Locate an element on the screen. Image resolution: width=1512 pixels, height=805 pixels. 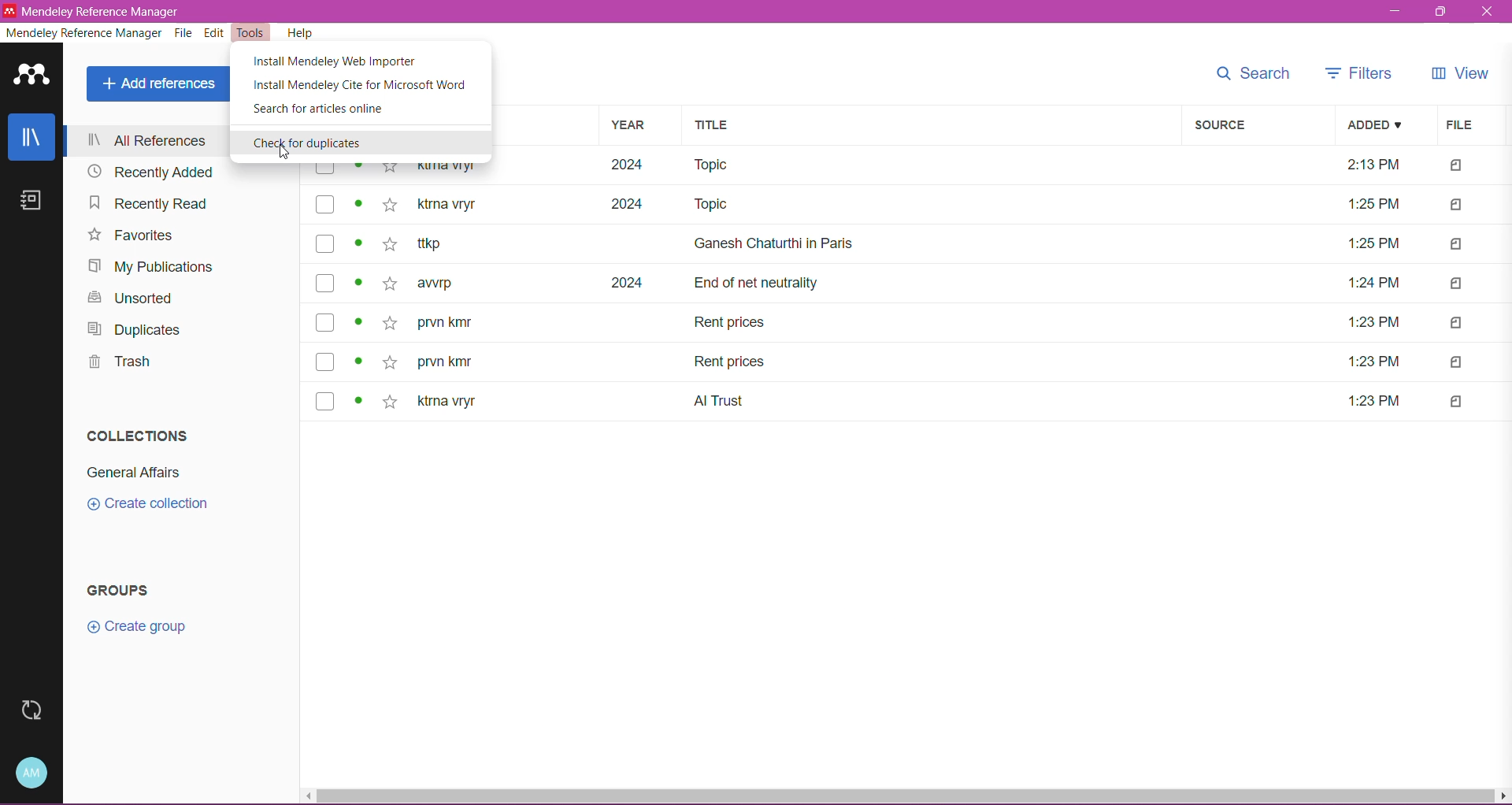
file is located at coordinates (1374, 401).